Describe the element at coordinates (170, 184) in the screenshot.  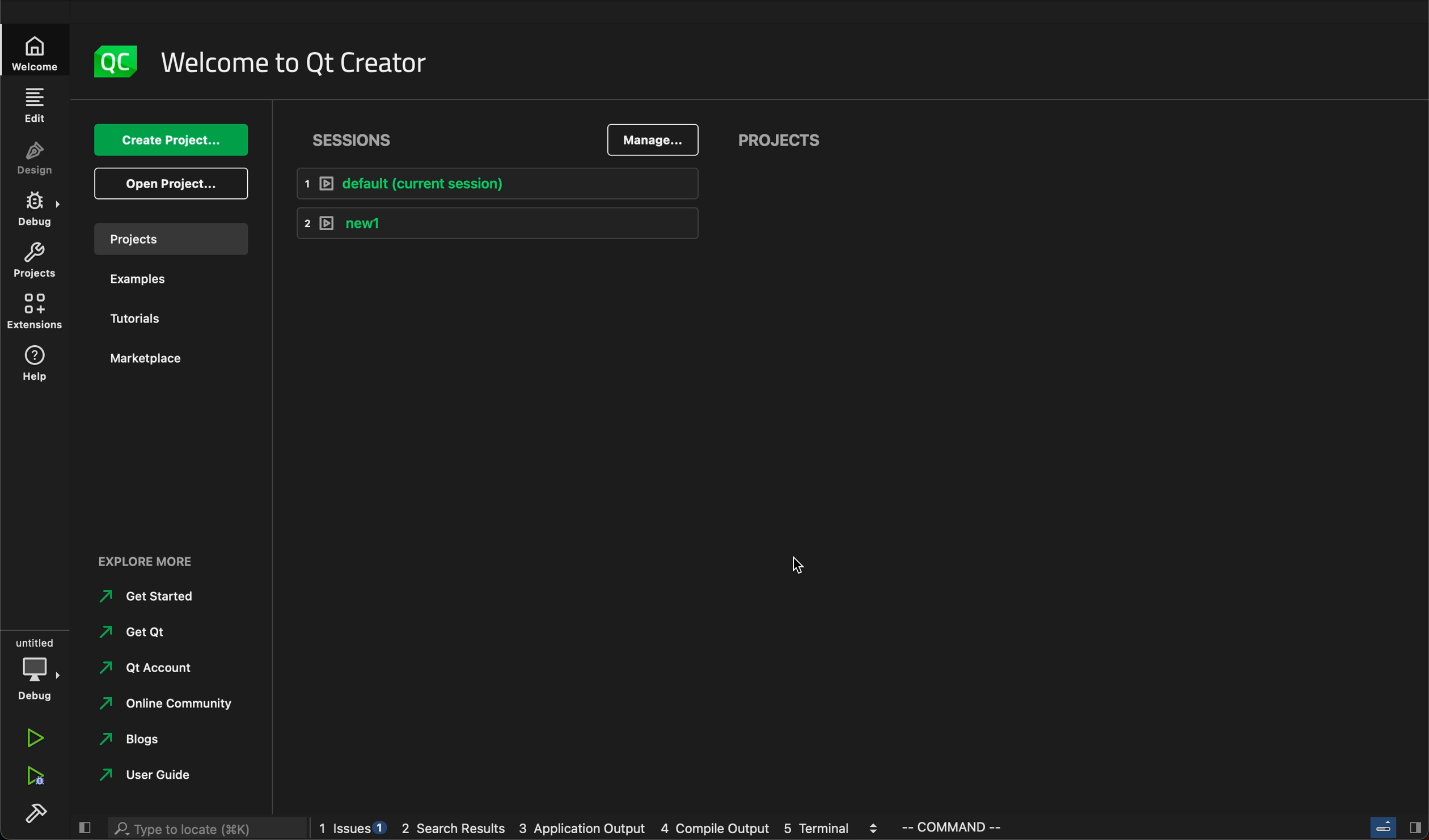
I see `open` at that location.